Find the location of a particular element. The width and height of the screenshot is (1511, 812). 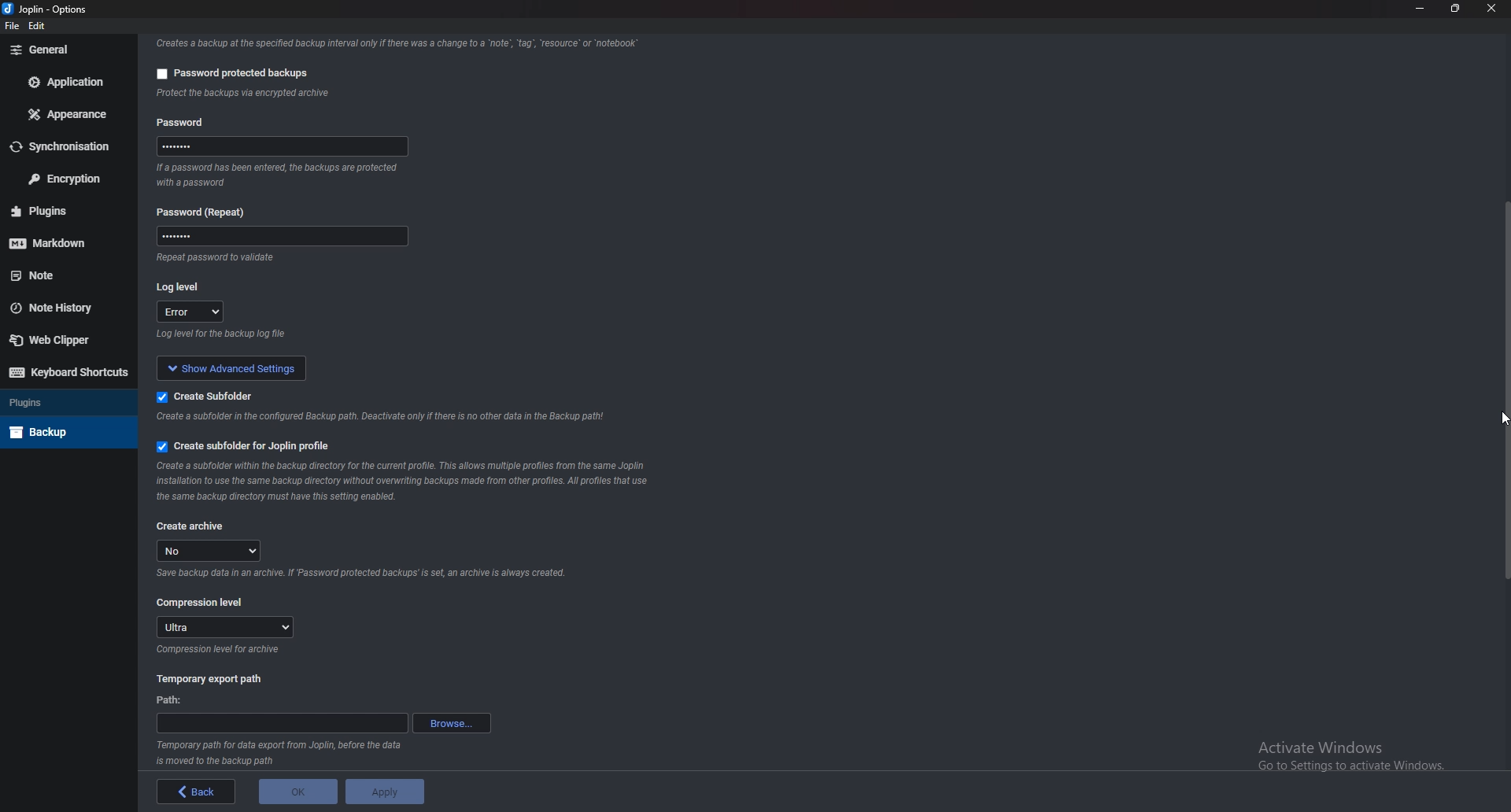

ok is located at coordinates (292, 794).